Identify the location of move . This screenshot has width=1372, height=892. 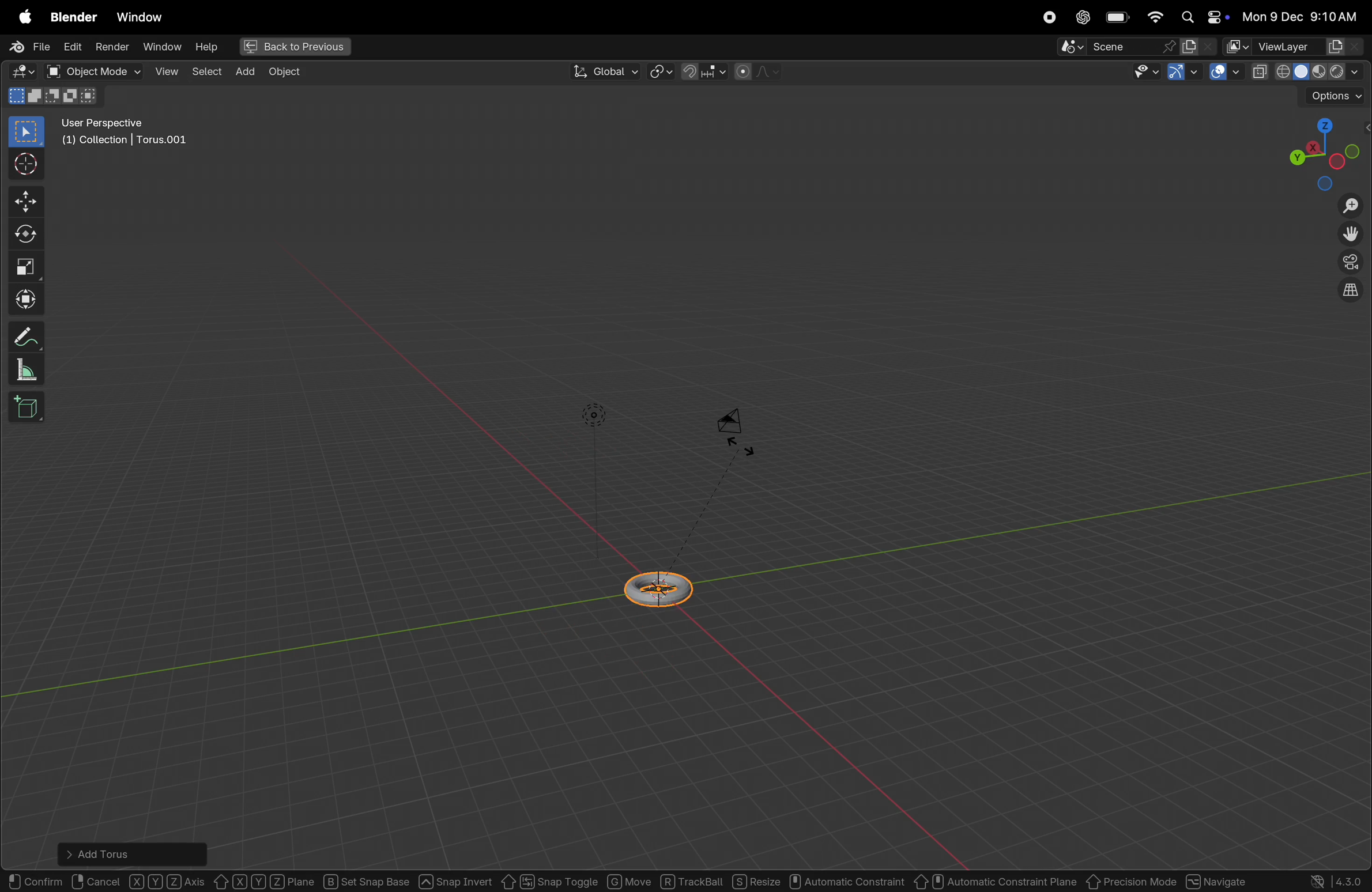
(28, 201).